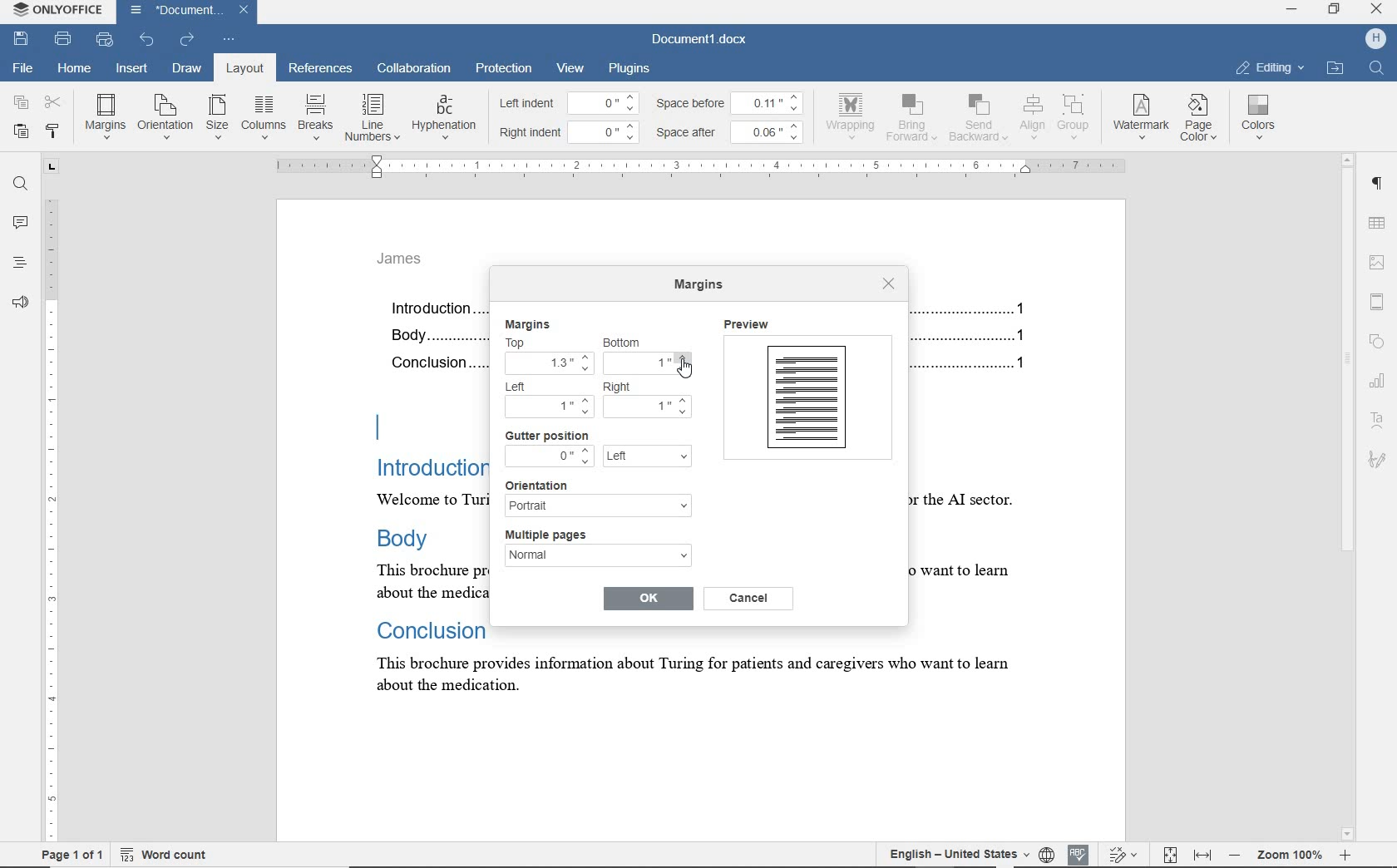  I want to click on left indent, so click(526, 105).